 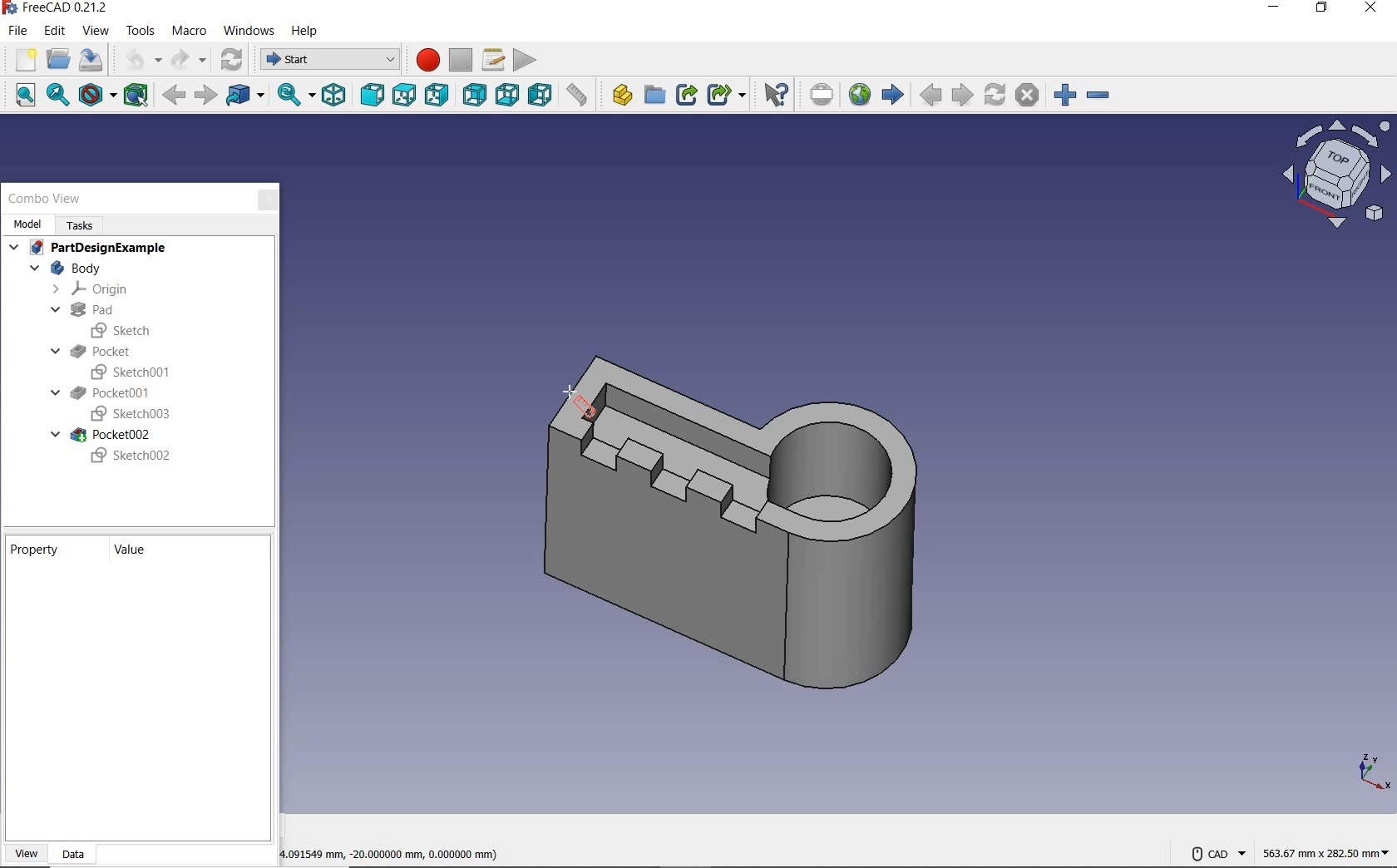 What do you see at coordinates (822, 96) in the screenshot?
I see `set URL` at bounding box center [822, 96].